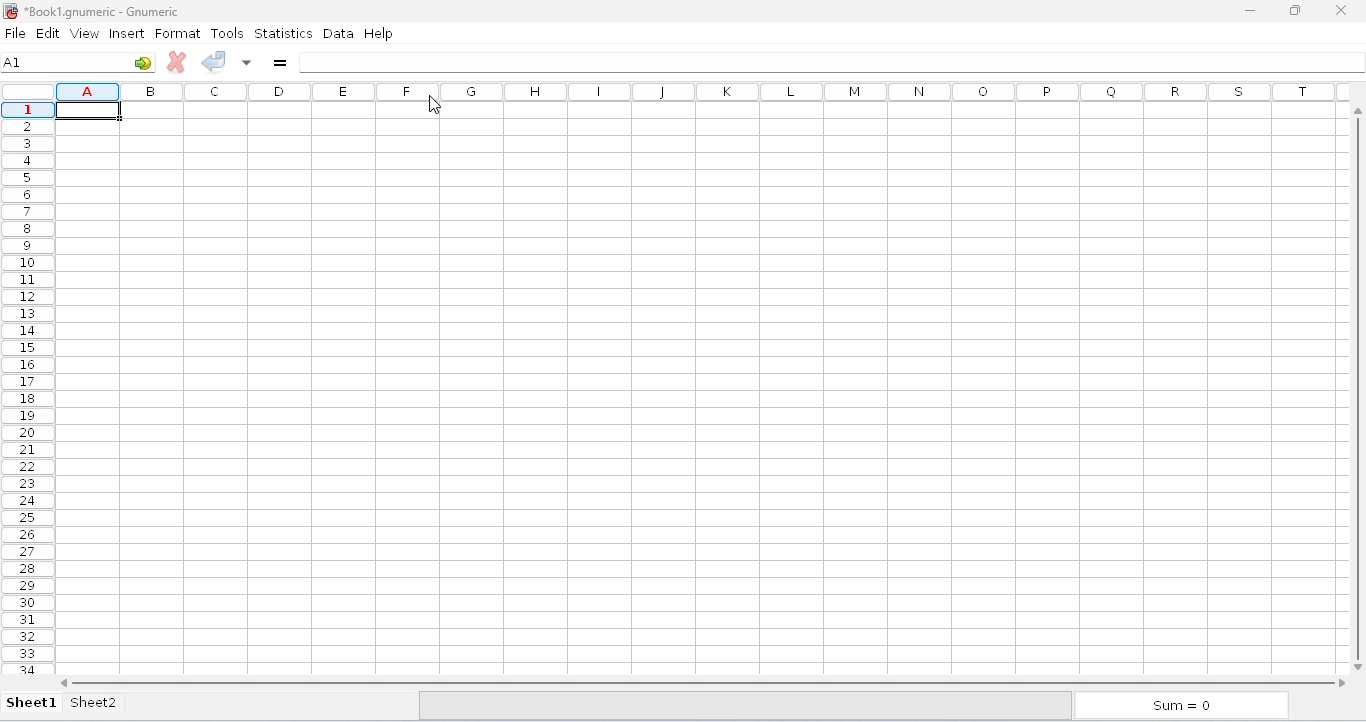  What do you see at coordinates (704, 682) in the screenshot?
I see `horizontal scroll bar` at bounding box center [704, 682].